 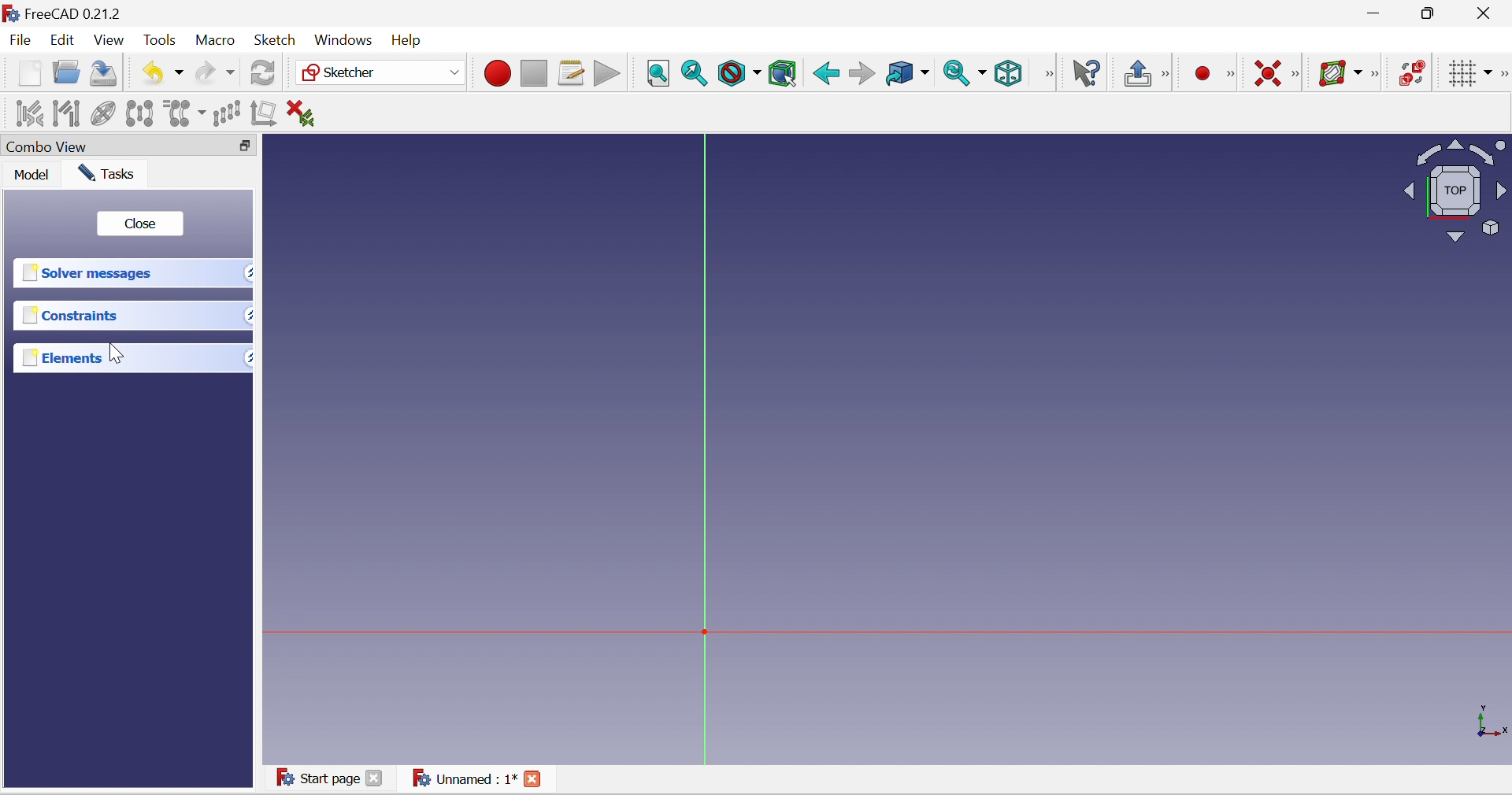 I want to click on Help, so click(x=406, y=42).